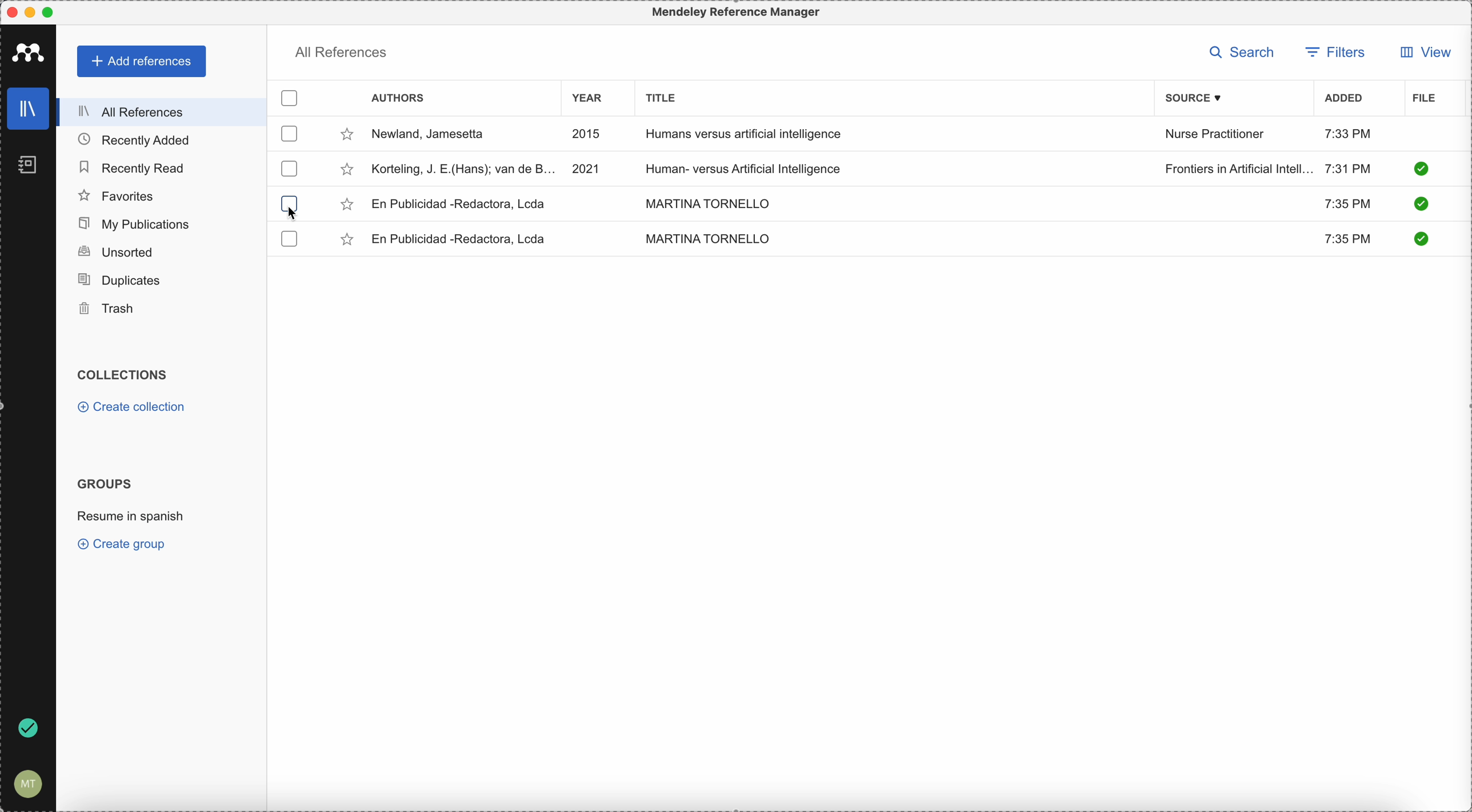 Image resolution: width=1472 pixels, height=812 pixels. Describe the element at coordinates (1419, 238) in the screenshot. I see `check it` at that location.